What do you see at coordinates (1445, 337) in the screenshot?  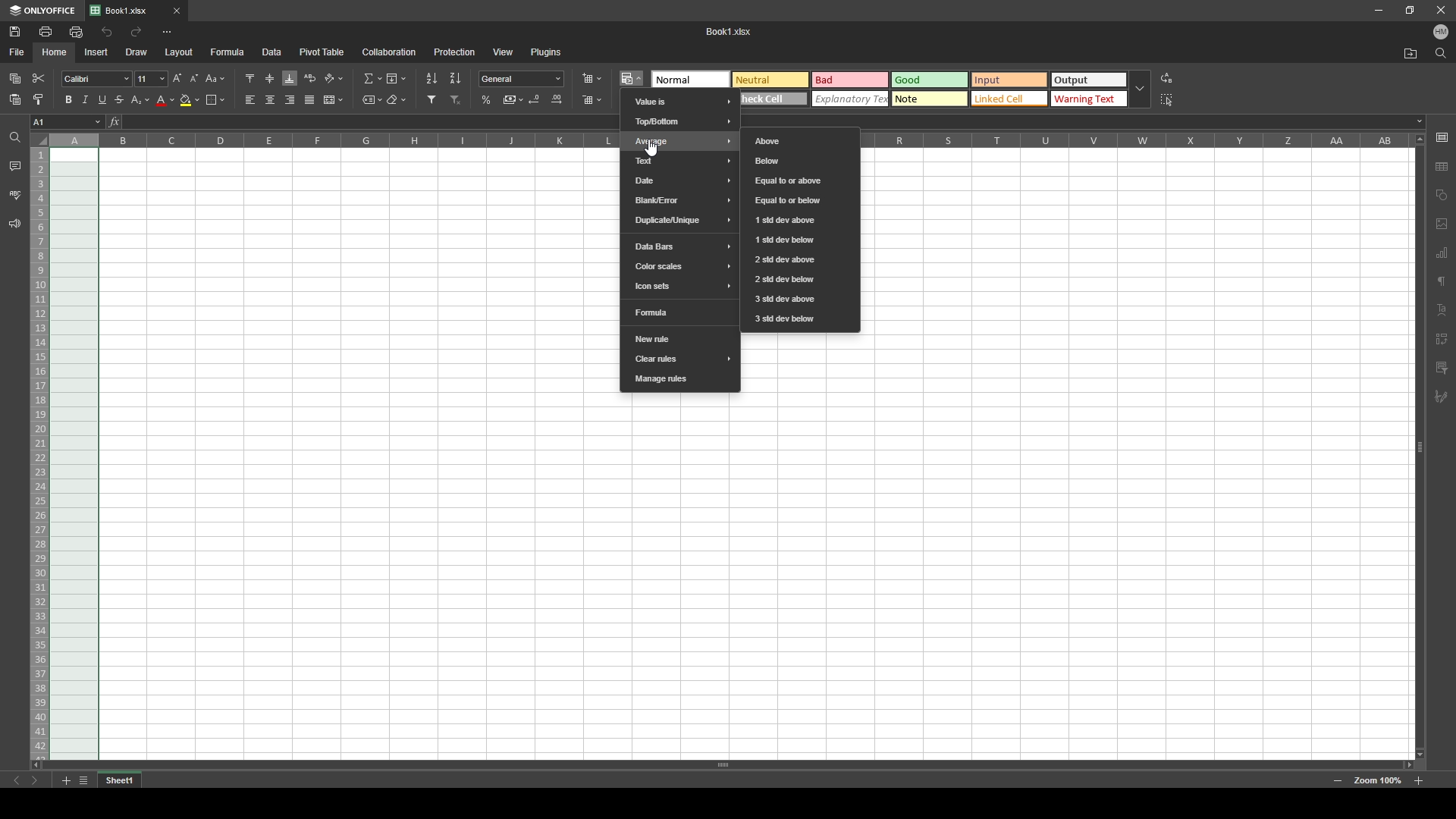 I see `indent` at bounding box center [1445, 337].